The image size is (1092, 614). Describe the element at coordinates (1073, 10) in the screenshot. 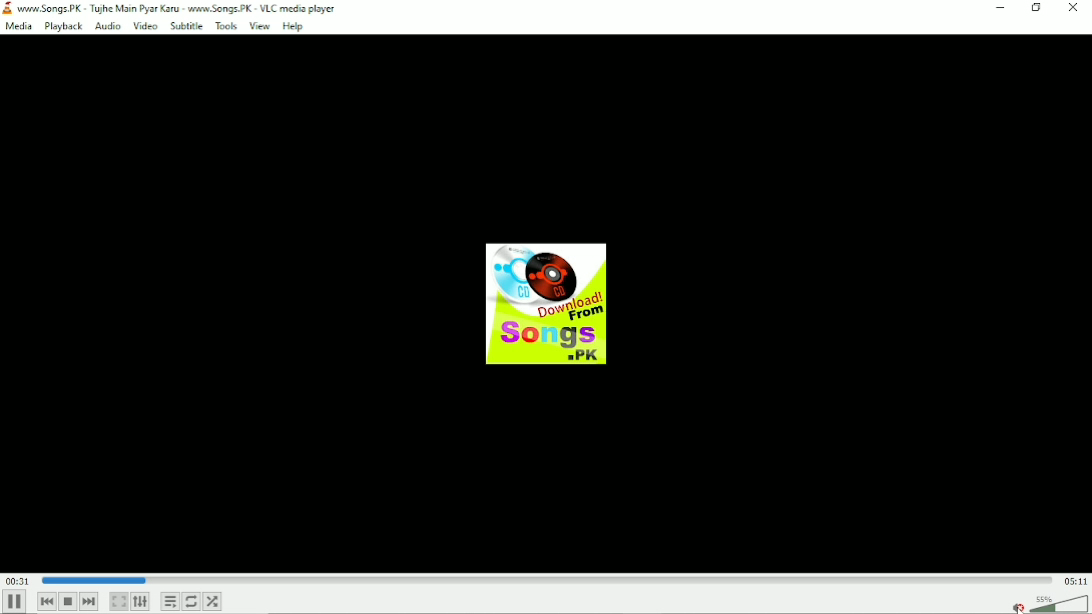

I see `Close` at that location.